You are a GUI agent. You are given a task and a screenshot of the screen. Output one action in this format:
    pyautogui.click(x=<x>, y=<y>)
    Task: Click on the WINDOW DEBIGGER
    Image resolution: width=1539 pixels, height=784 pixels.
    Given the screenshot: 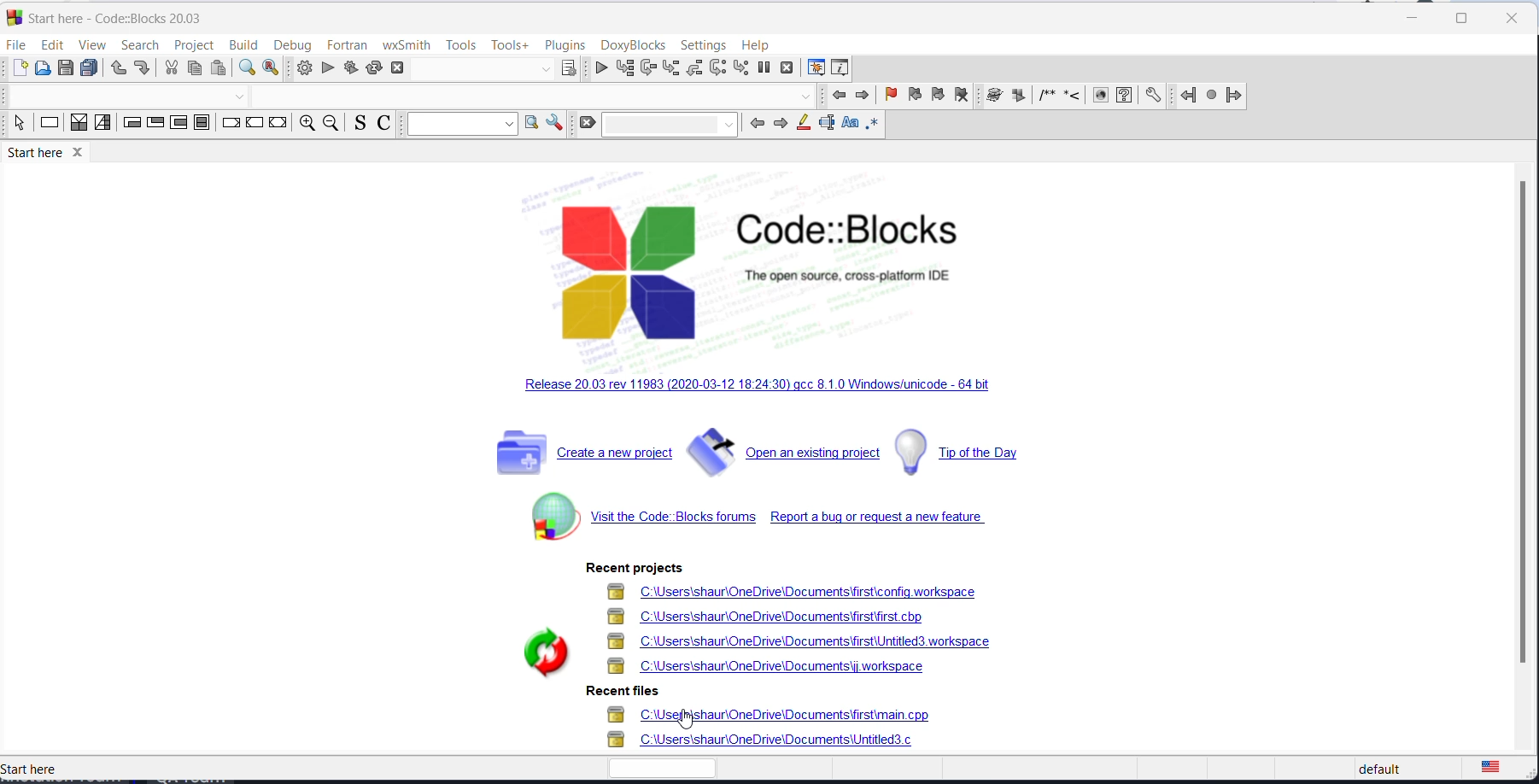 What is the action you would take?
    pyautogui.click(x=814, y=67)
    